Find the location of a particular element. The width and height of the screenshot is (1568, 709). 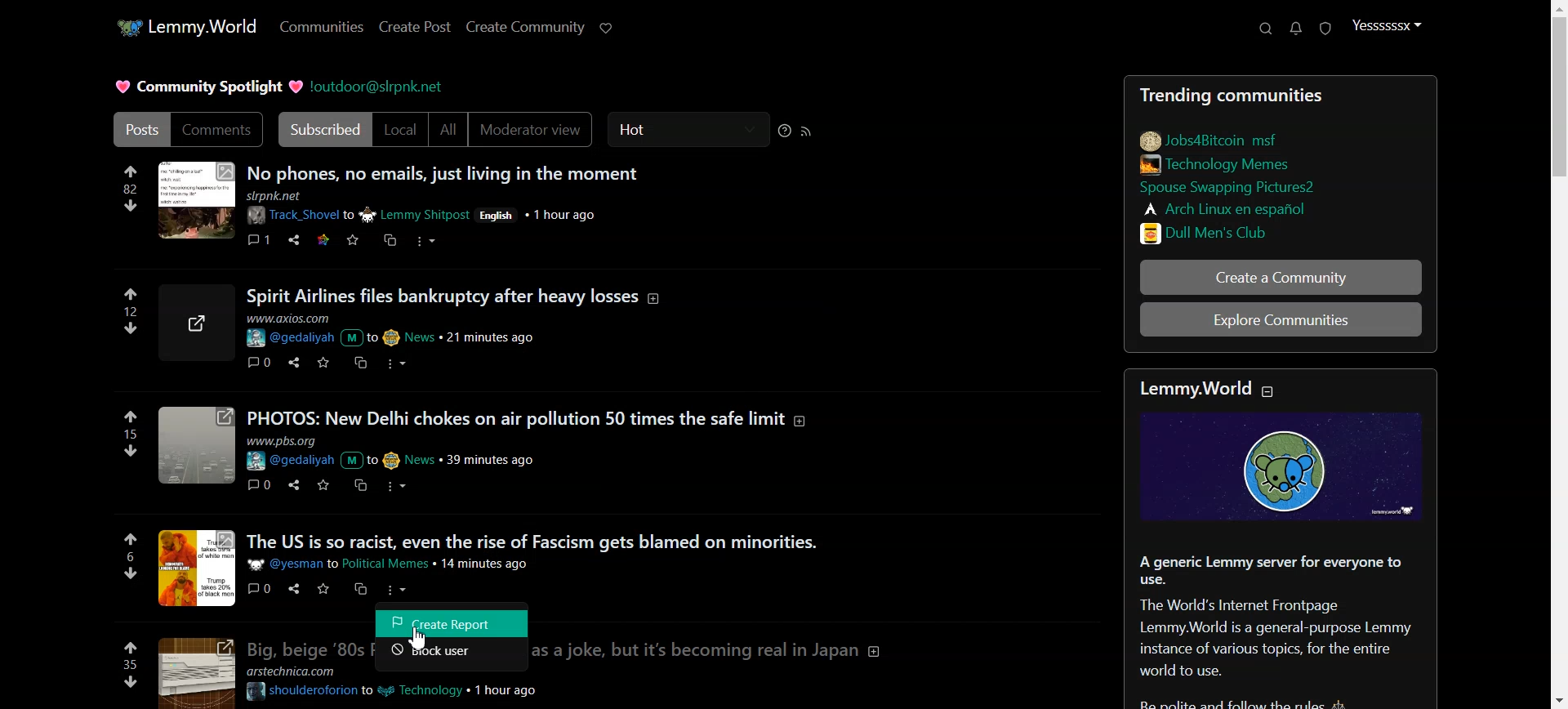

Local is located at coordinates (401, 130).